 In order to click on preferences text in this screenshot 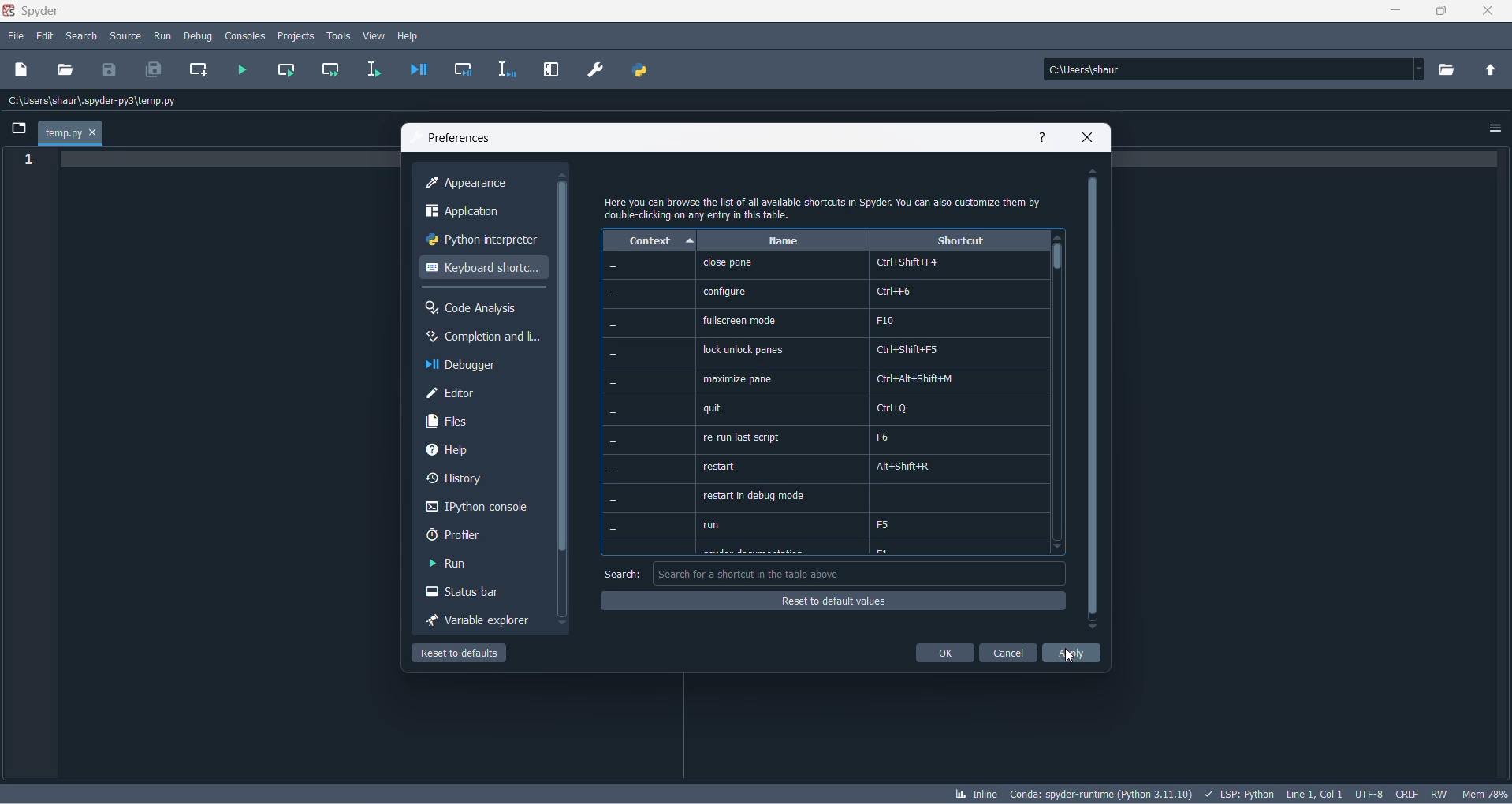, I will do `click(458, 139)`.